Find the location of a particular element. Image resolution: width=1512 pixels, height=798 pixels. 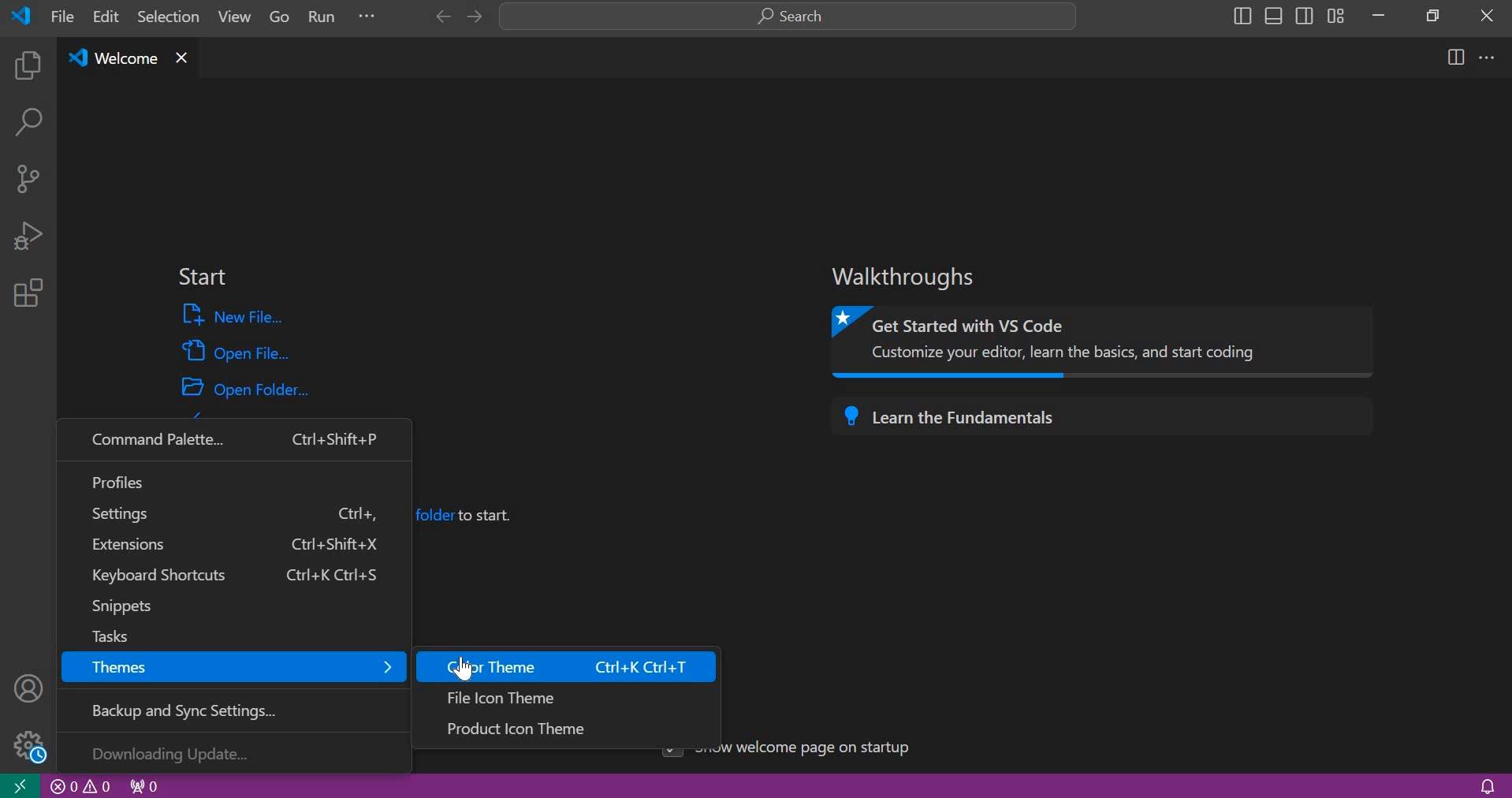

backup and sync settings is located at coordinates (241, 708).